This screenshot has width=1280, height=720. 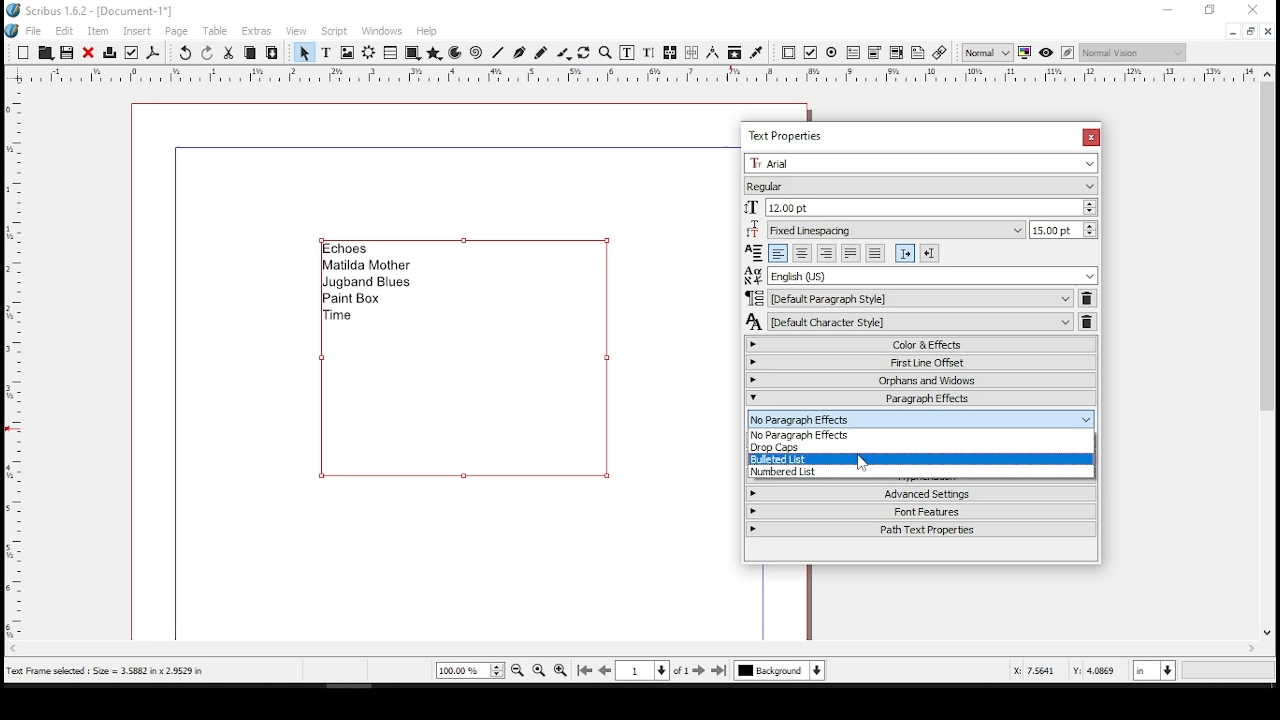 What do you see at coordinates (896, 54) in the screenshot?
I see `pdf list box` at bounding box center [896, 54].